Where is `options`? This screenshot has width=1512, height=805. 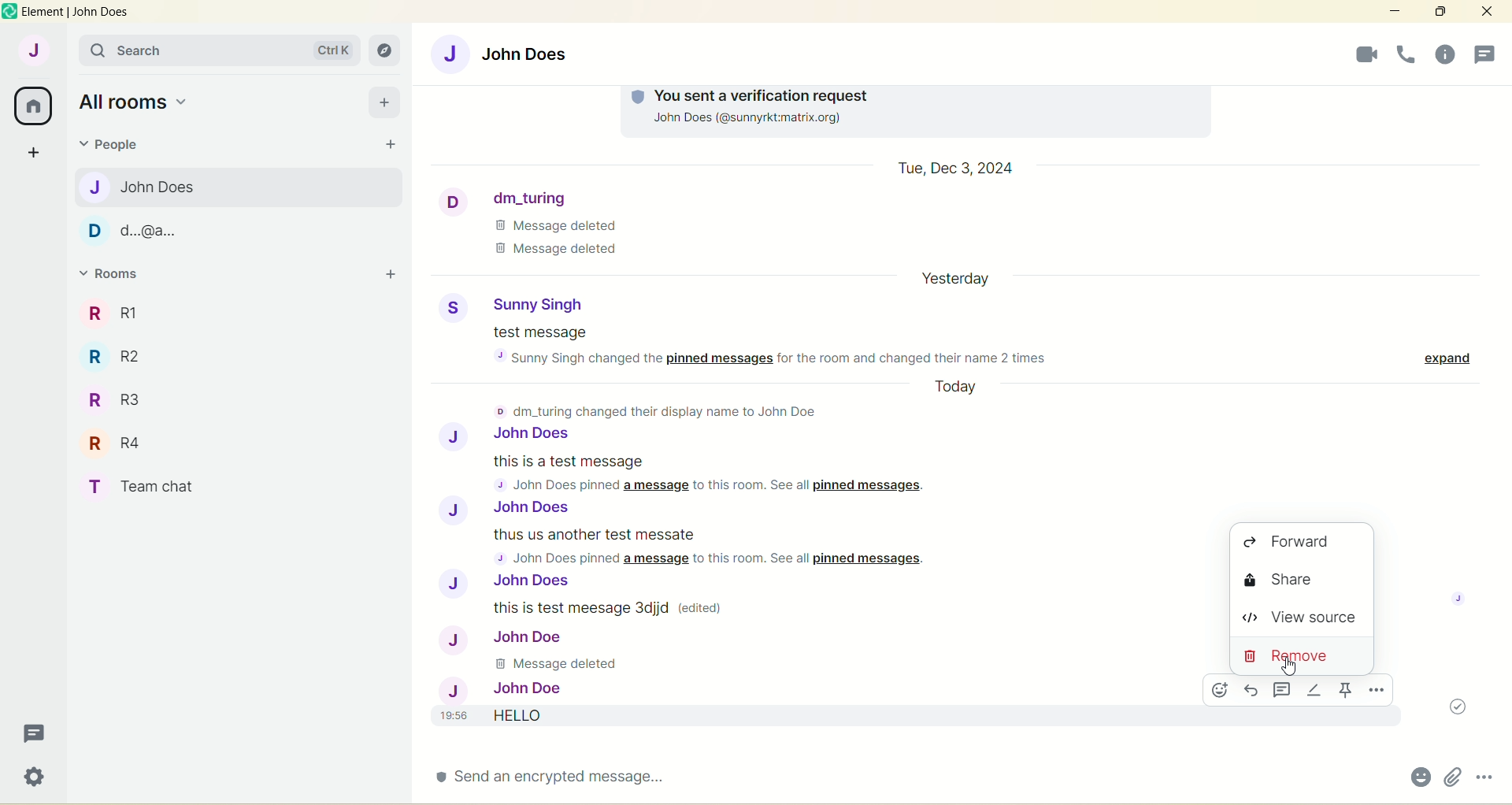
options is located at coordinates (1486, 776).